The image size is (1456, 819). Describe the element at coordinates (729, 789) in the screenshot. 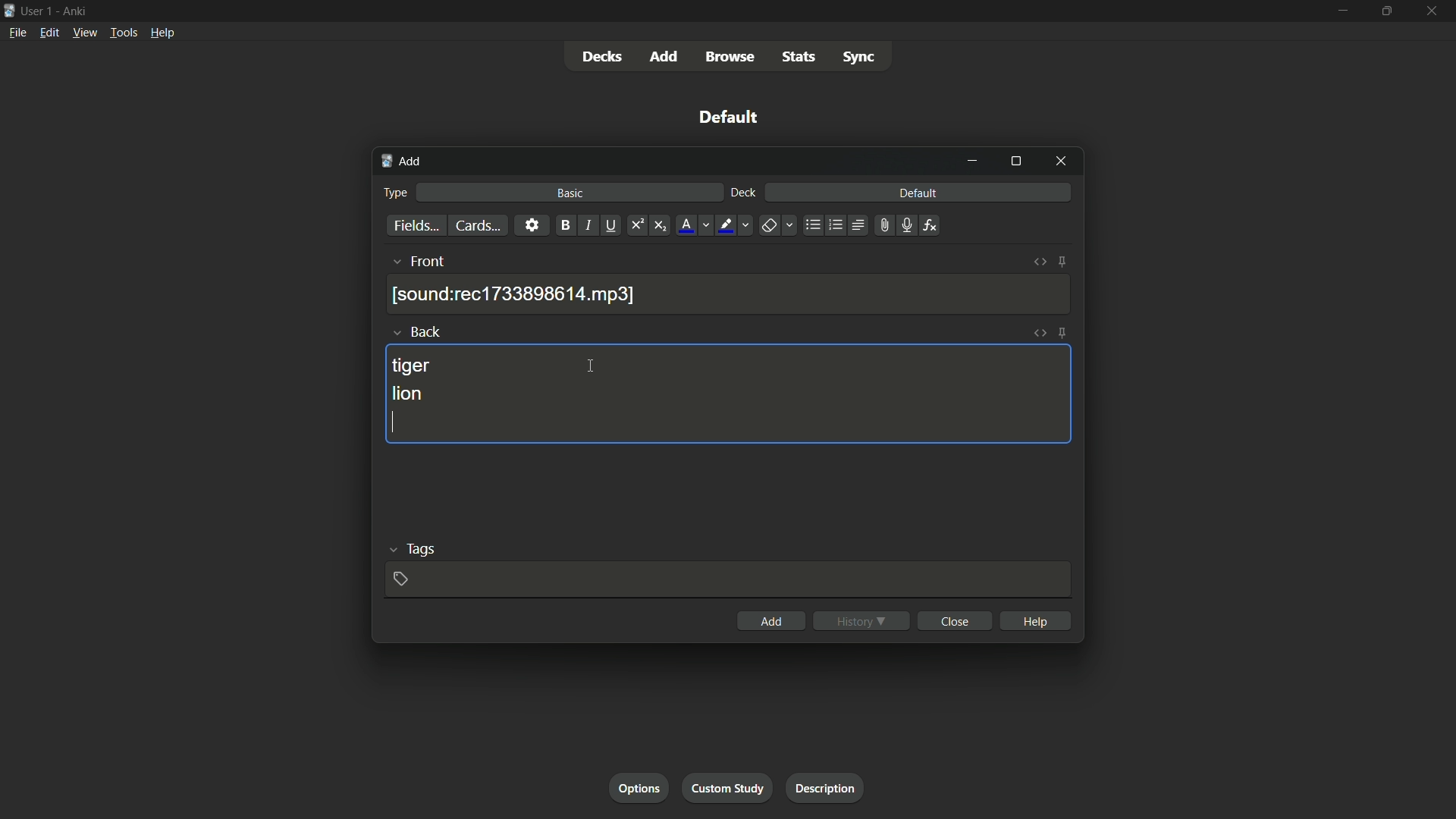

I see `custom study` at that location.